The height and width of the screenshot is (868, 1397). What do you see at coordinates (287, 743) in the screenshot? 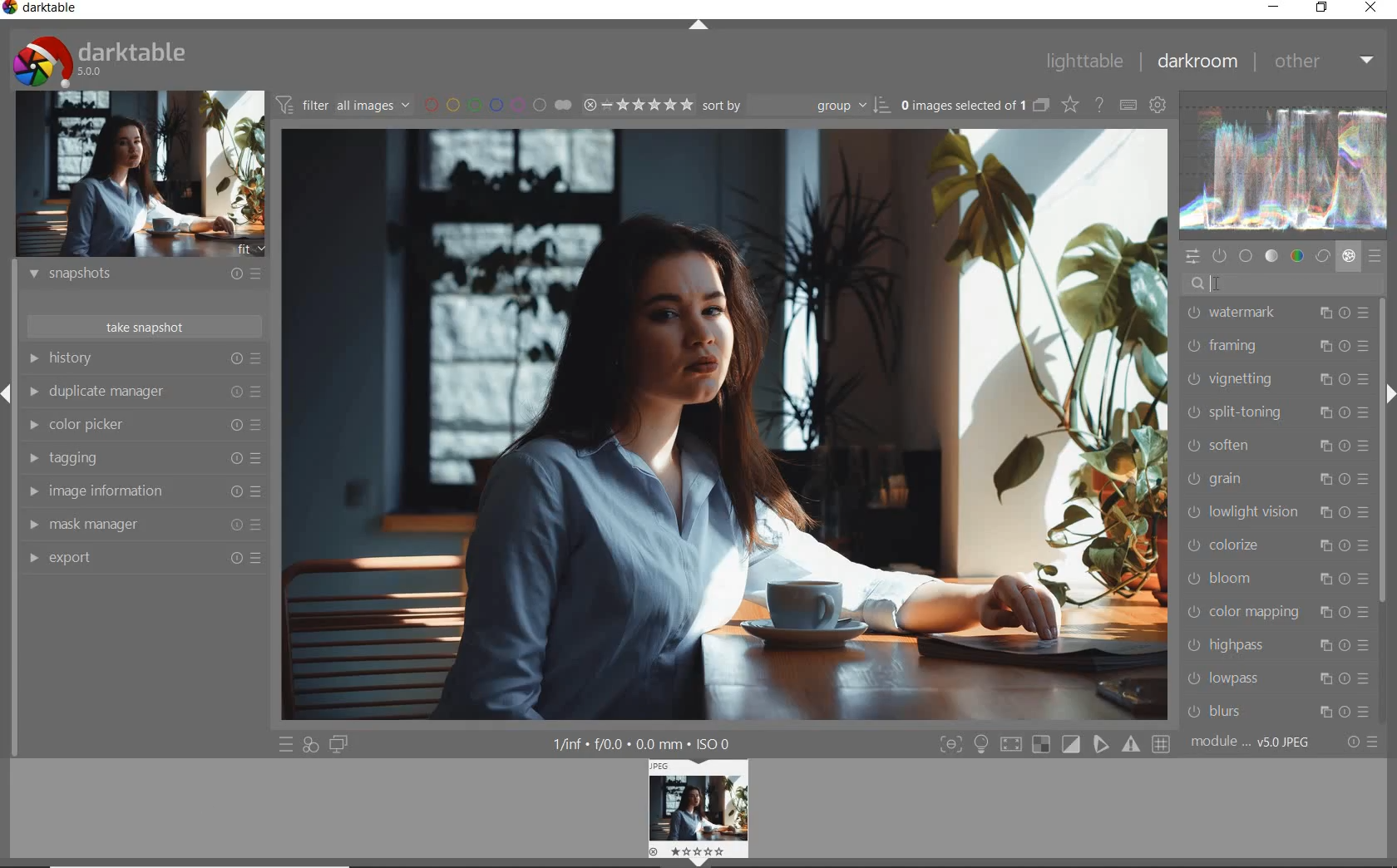
I see `quick access to presets` at bounding box center [287, 743].